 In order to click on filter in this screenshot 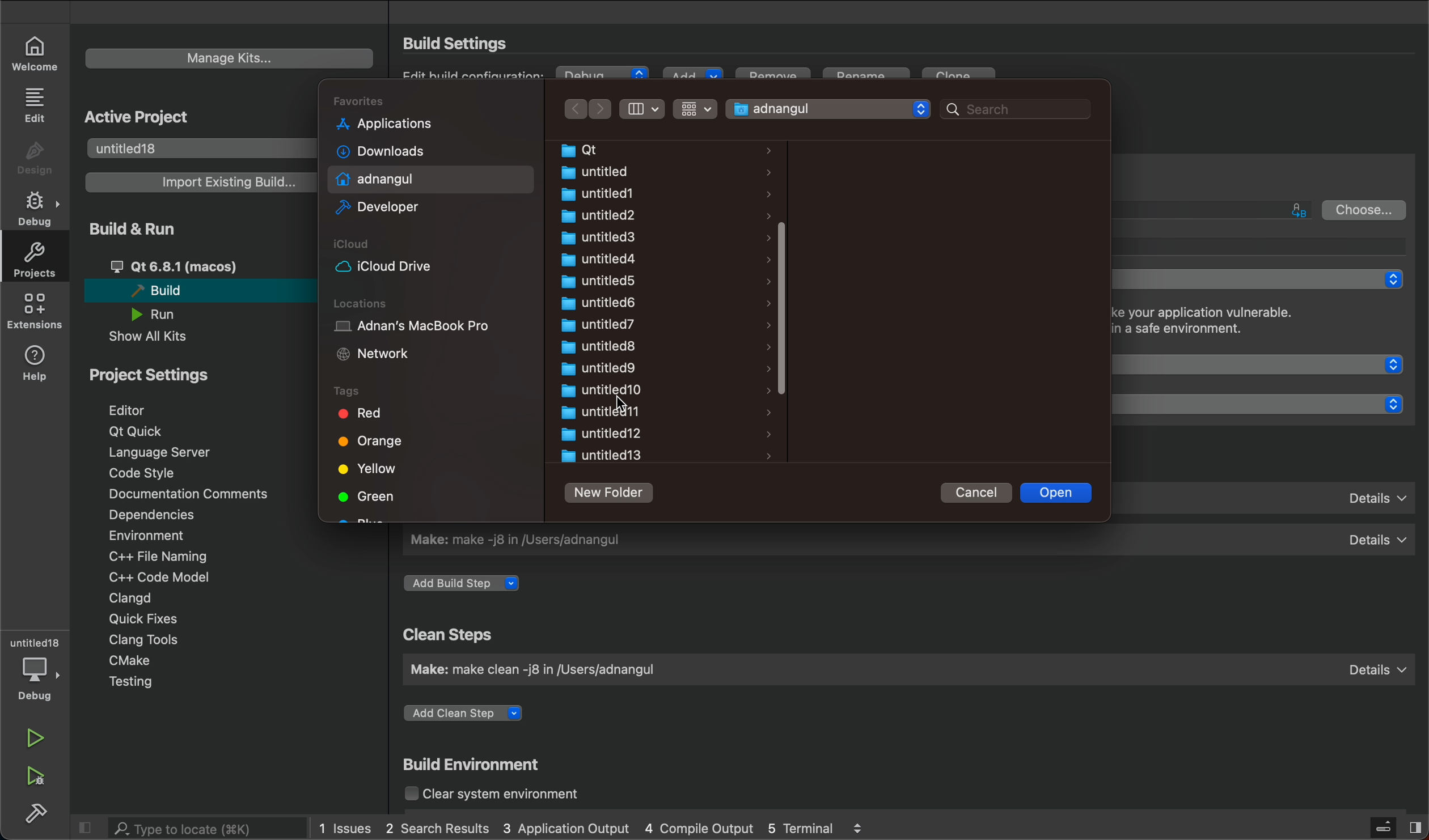, I will do `click(698, 108)`.